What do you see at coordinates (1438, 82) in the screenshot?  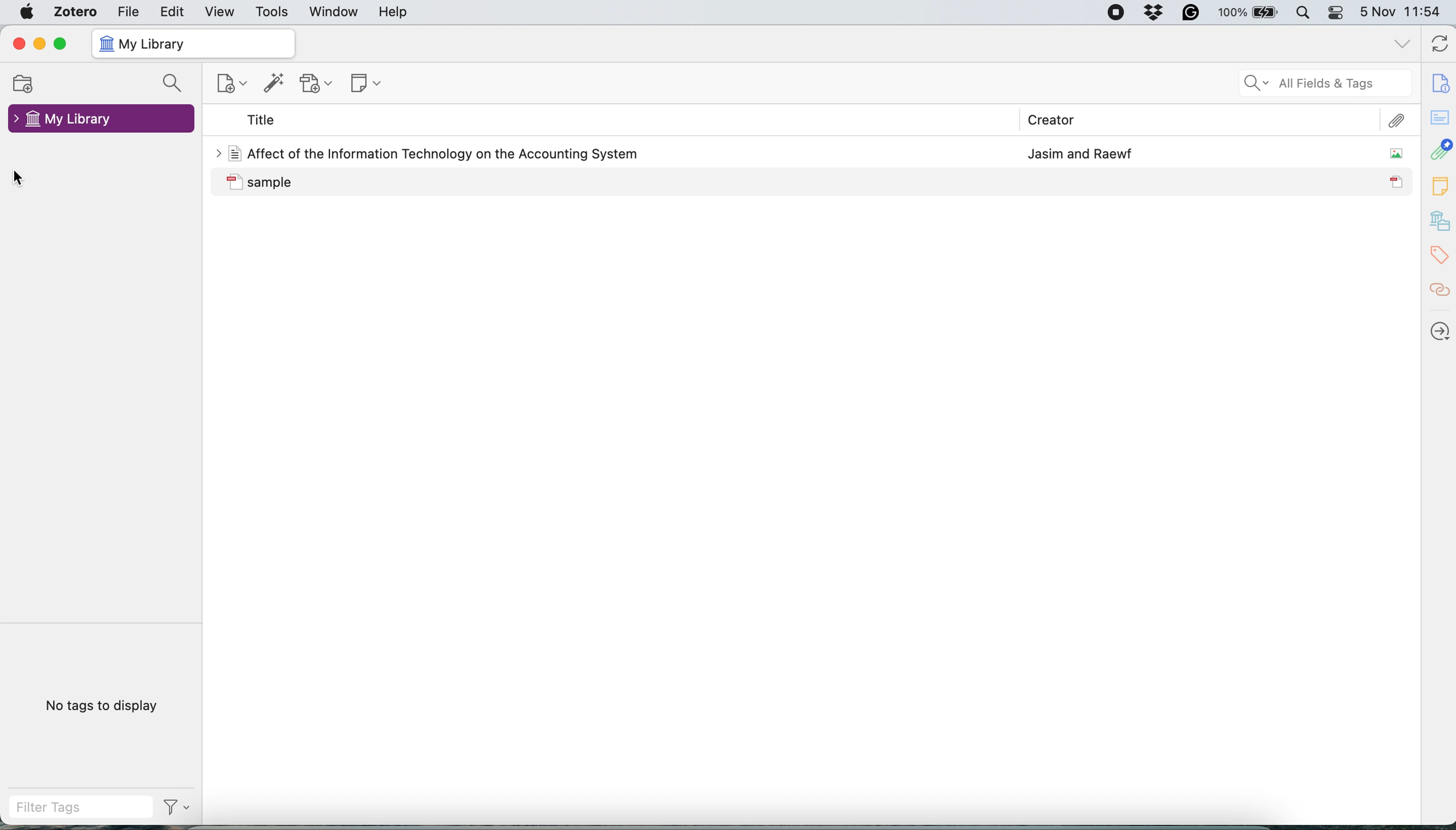 I see `item info` at bounding box center [1438, 82].